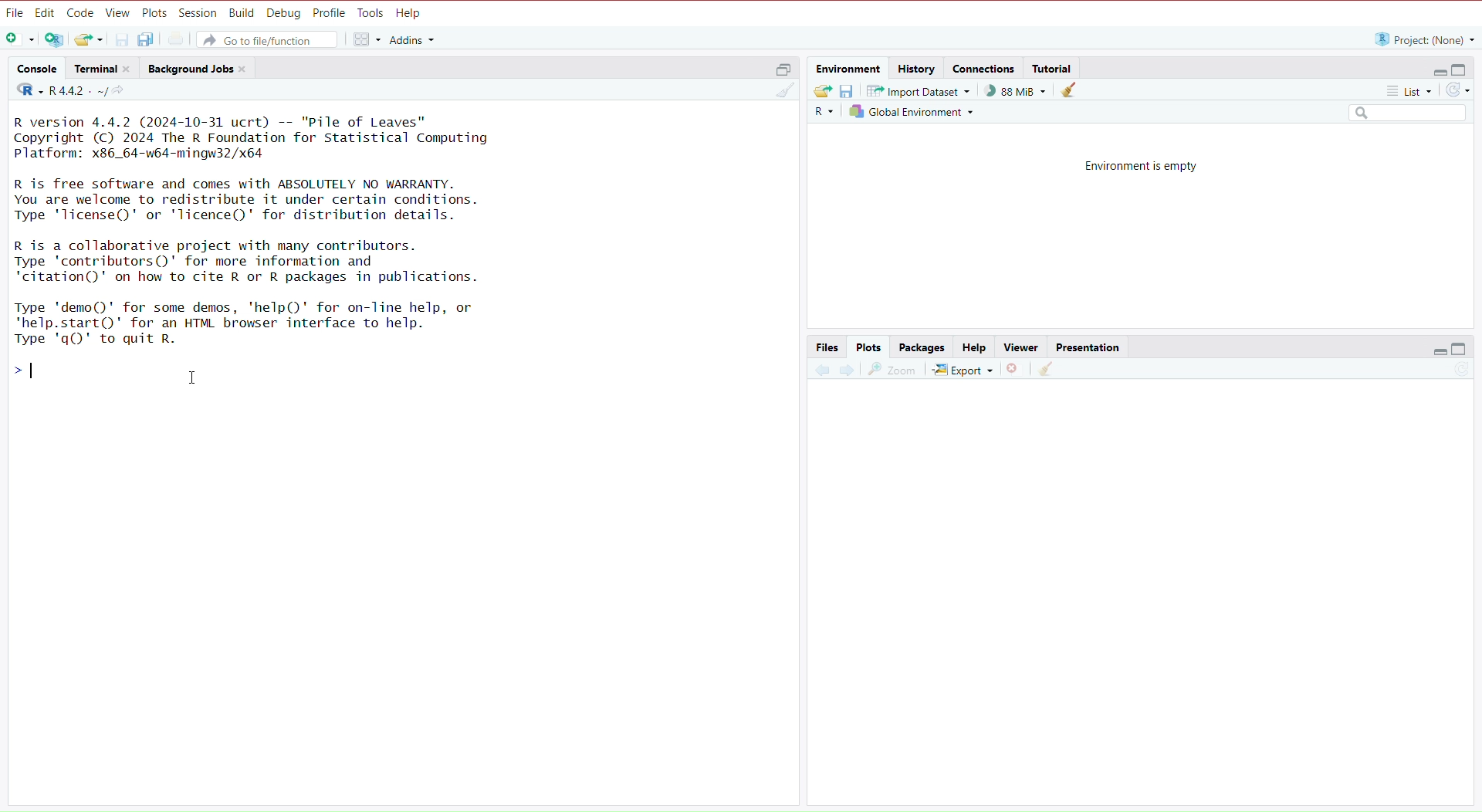  What do you see at coordinates (120, 40) in the screenshot?
I see `Save current file` at bounding box center [120, 40].